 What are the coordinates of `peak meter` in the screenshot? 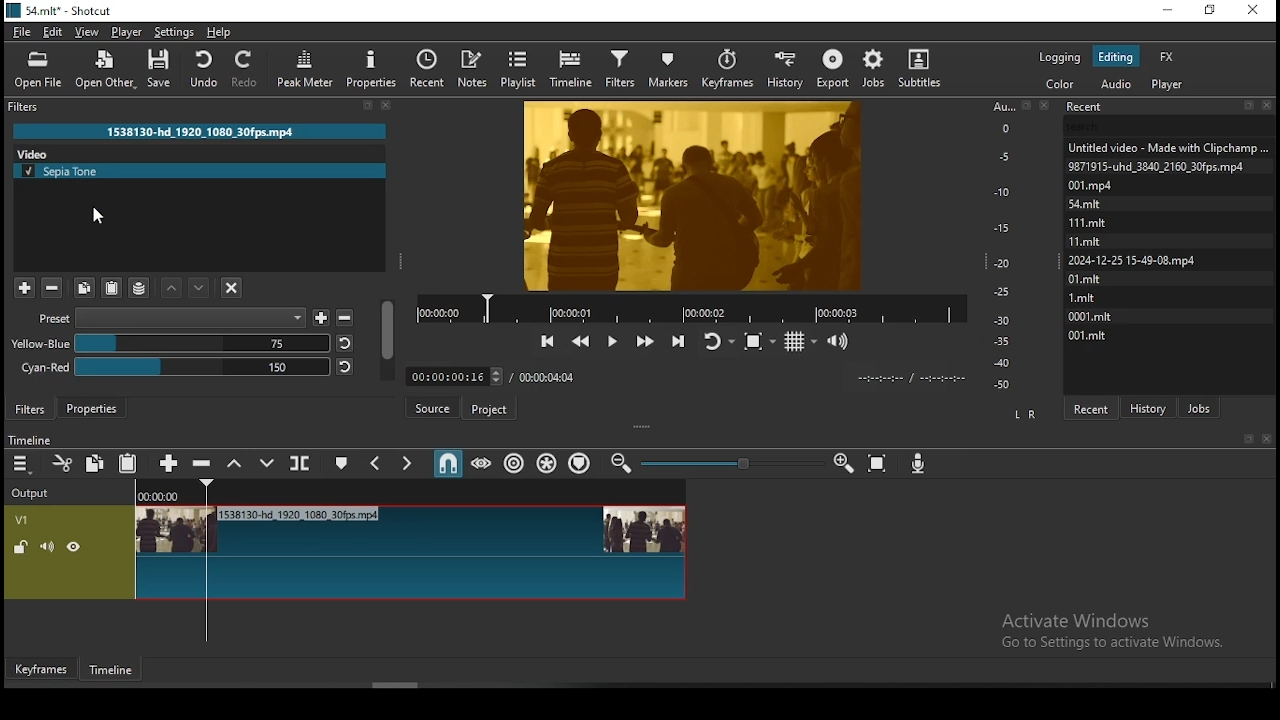 It's located at (303, 68).